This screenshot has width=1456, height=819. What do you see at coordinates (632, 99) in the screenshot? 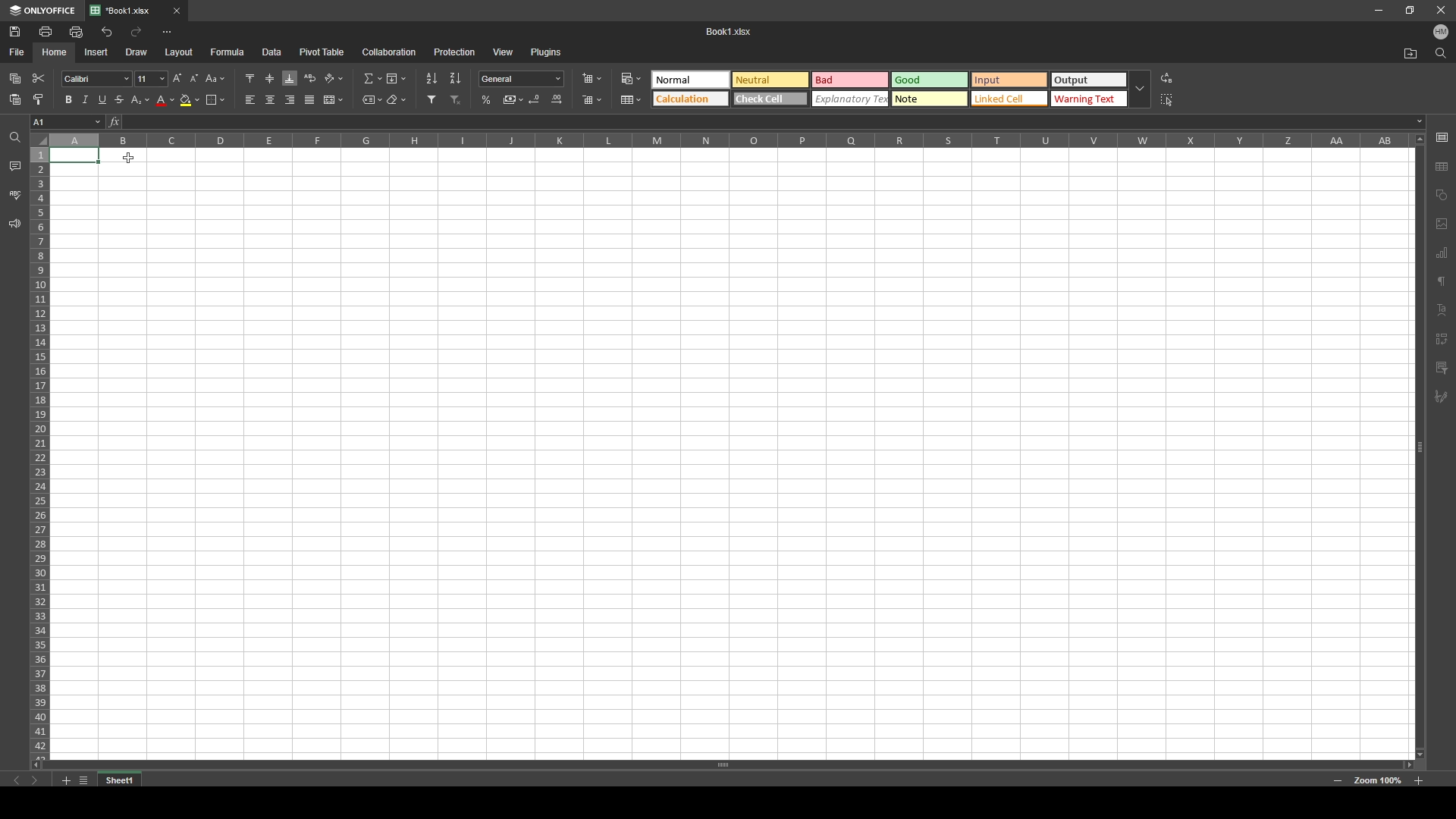
I see `table` at bounding box center [632, 99].